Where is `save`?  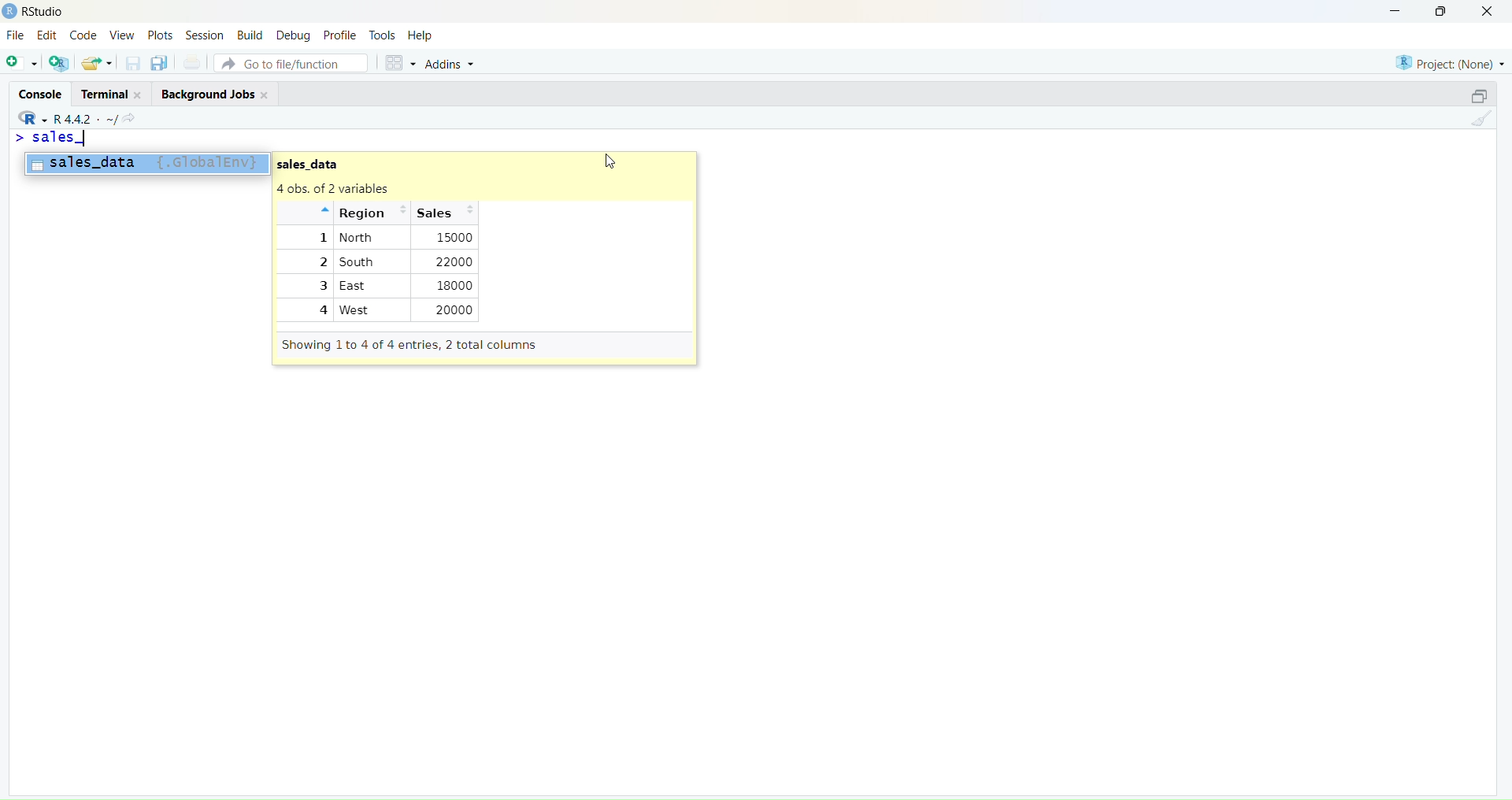 save is located at coordinates (132, 67).